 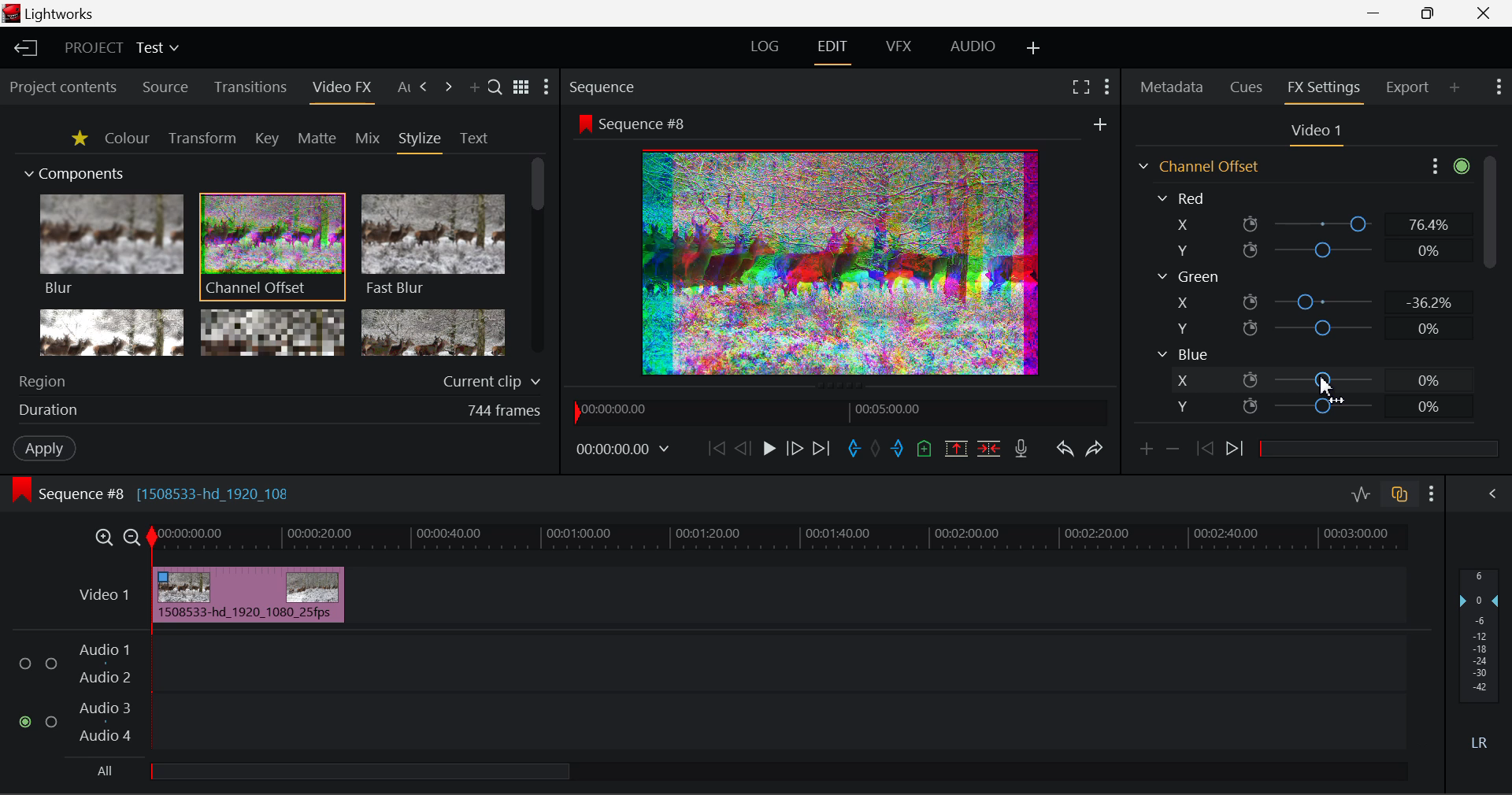 What do you see at coordinates (717, 447) in the screenshot?
I see `To Start` at bounding box center [717, 447].